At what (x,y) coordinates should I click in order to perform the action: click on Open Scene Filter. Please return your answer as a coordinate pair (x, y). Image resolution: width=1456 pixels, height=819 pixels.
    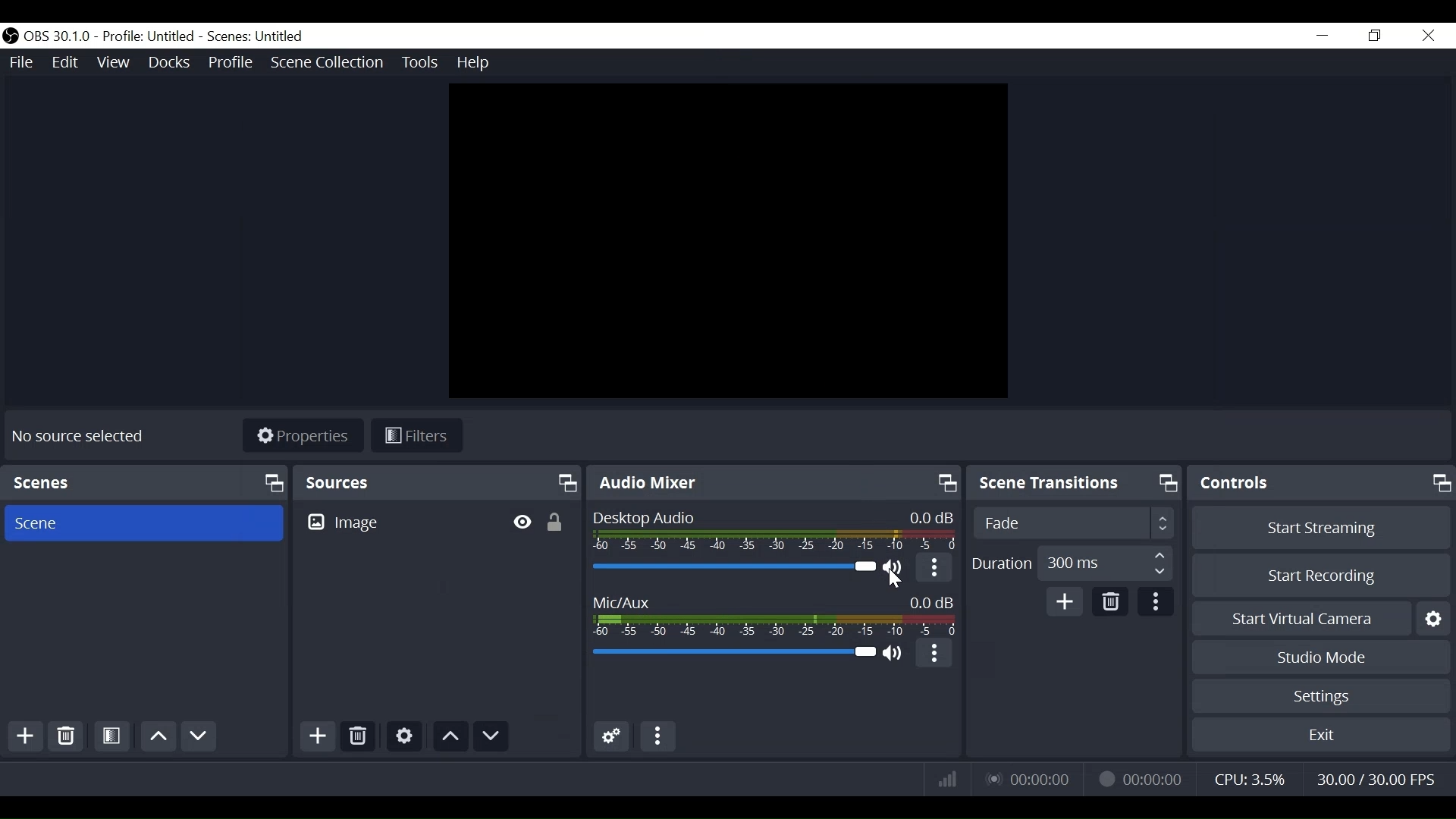
    Looking at the image, I should click on (111, 736).